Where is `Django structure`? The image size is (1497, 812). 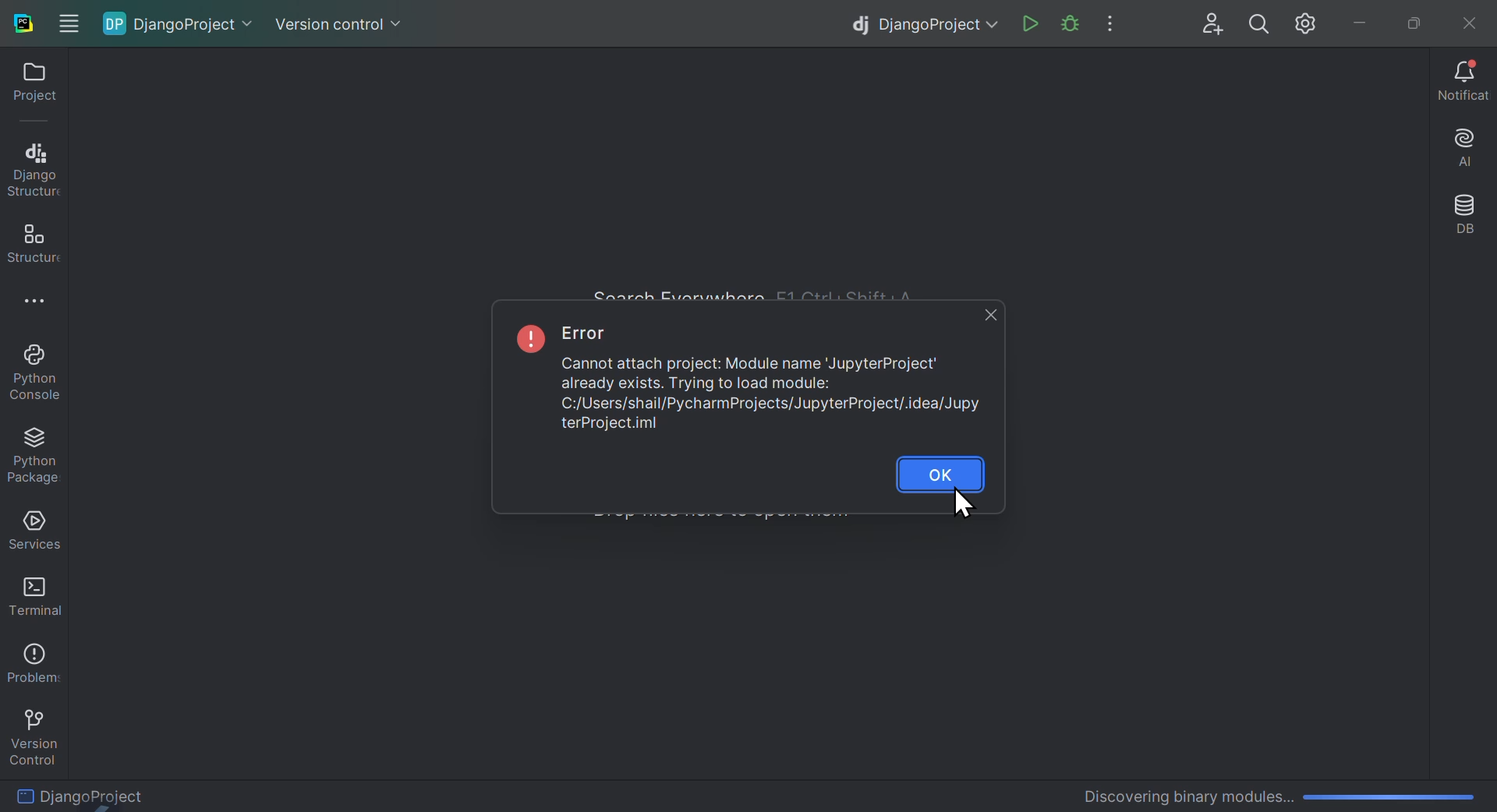
Django structure is located at coordinates (33, 167).